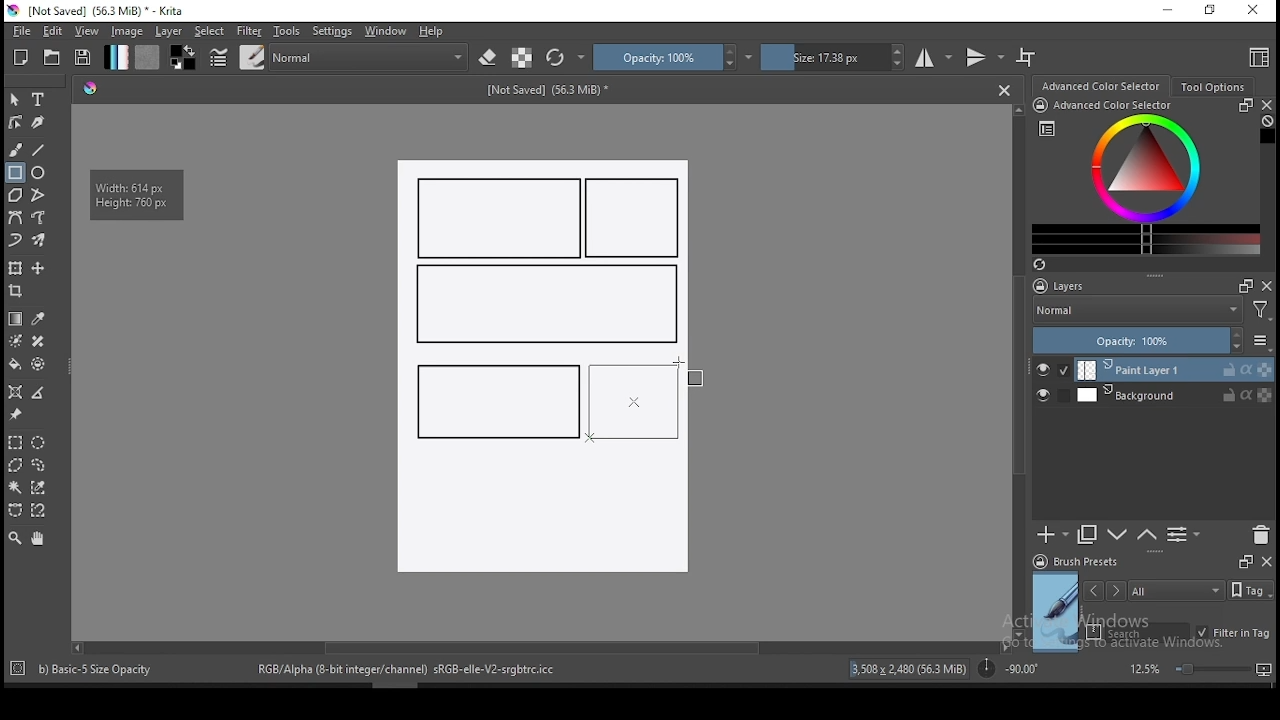 The image size is (1280, 720). I want to click on tools, so click(287, 31).